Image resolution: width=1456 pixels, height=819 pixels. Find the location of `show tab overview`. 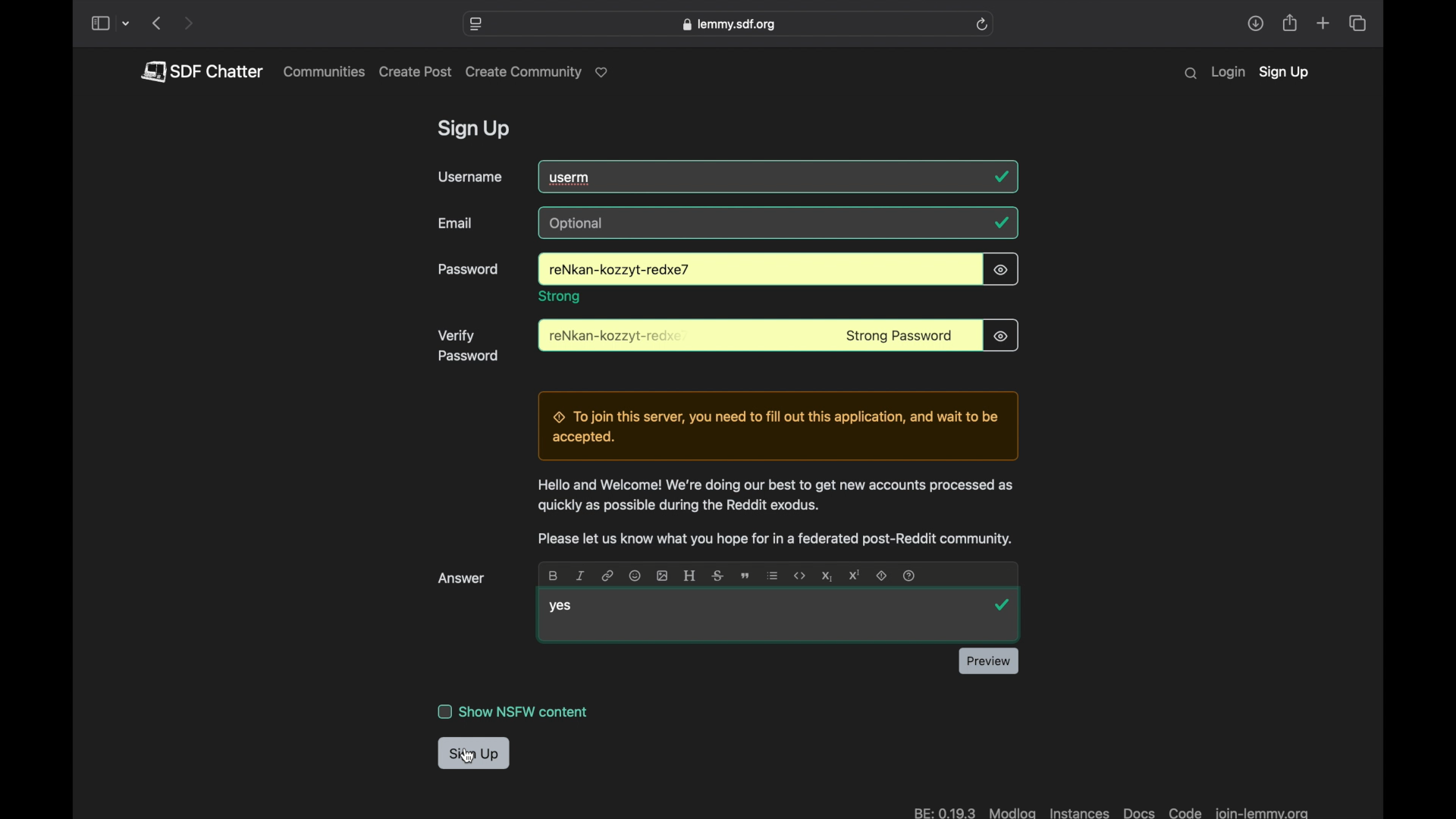

show tab overview is located at coordinates (1357, 24).